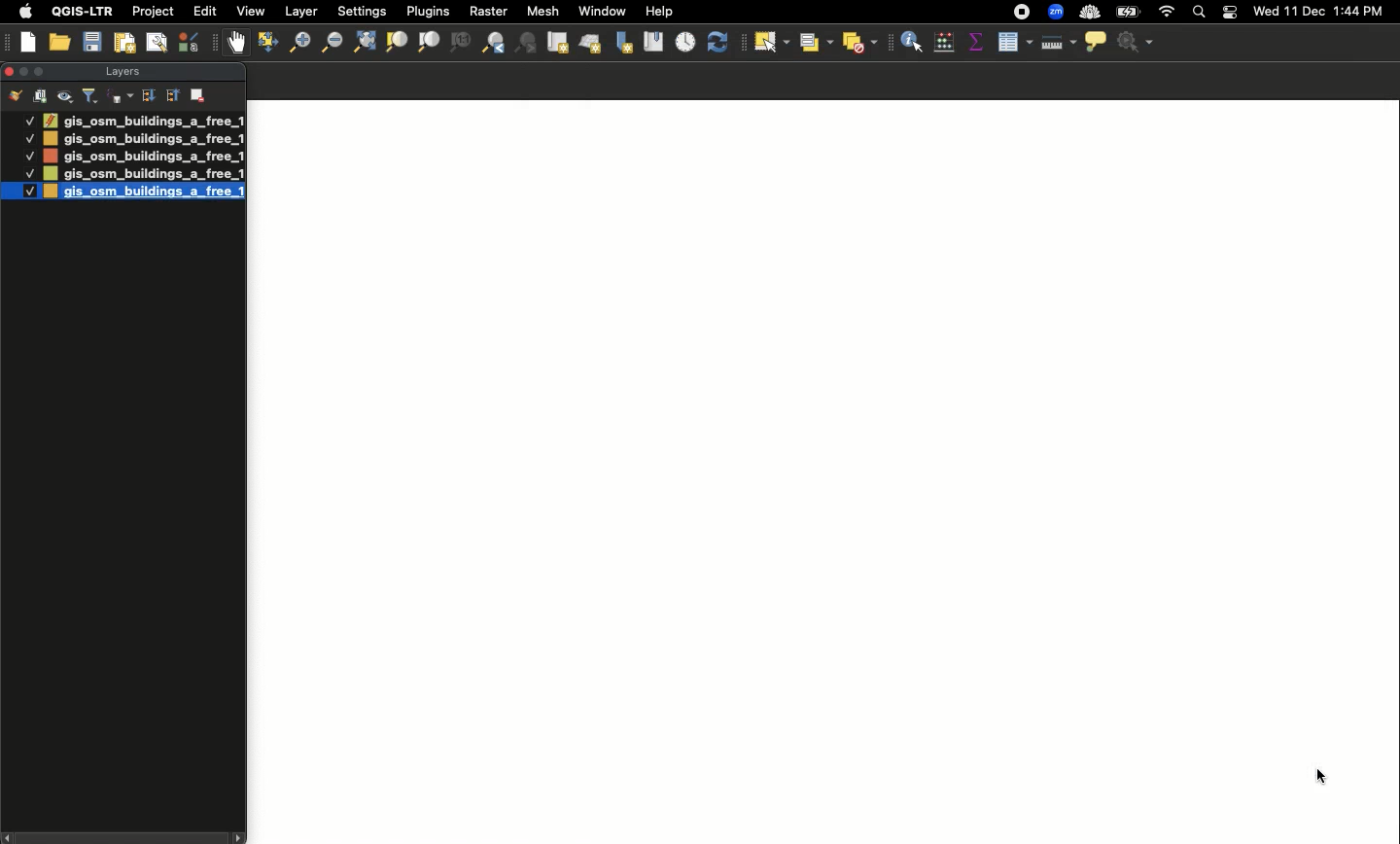  What do you see at coordinates (302, 12) in the screenshot?
I see `Layer` at bounding box center [302, 12].